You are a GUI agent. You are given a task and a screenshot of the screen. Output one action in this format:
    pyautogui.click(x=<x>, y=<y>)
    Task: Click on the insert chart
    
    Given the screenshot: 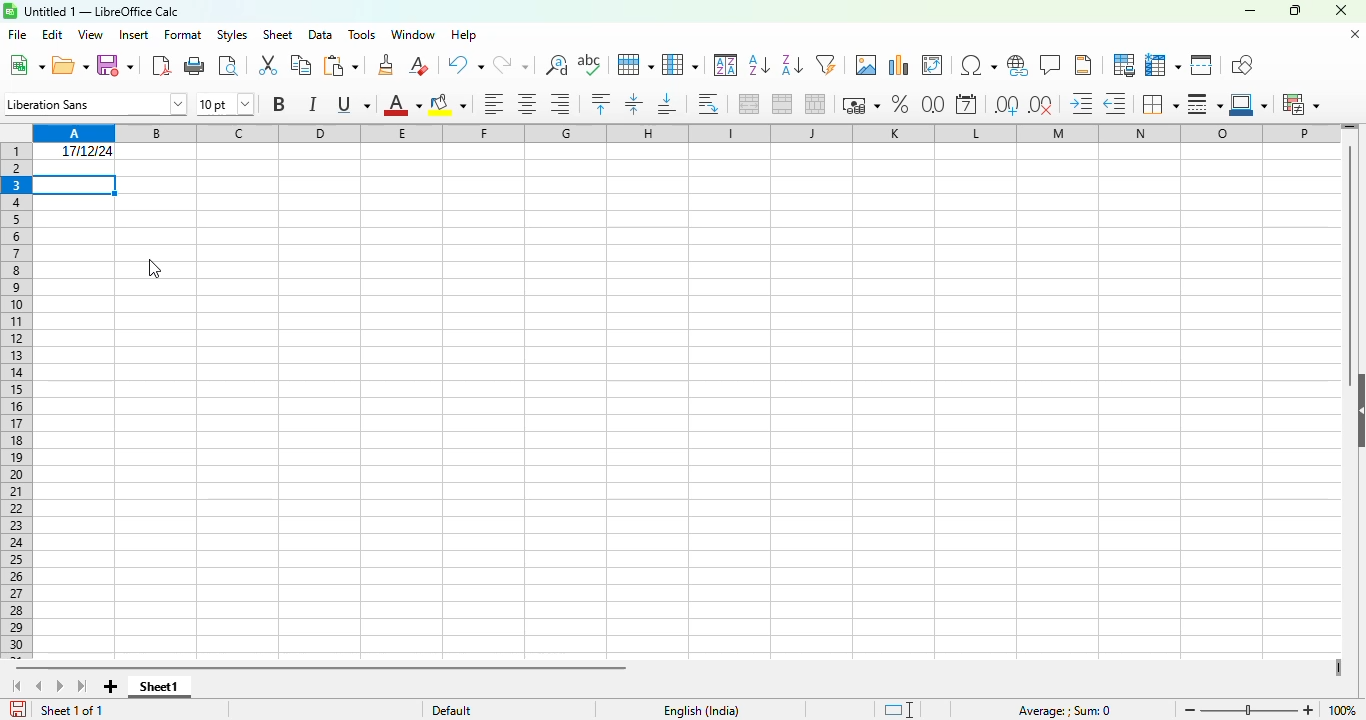 What is the action you would take?
    pyautogui.click(x=899, y=65)
    